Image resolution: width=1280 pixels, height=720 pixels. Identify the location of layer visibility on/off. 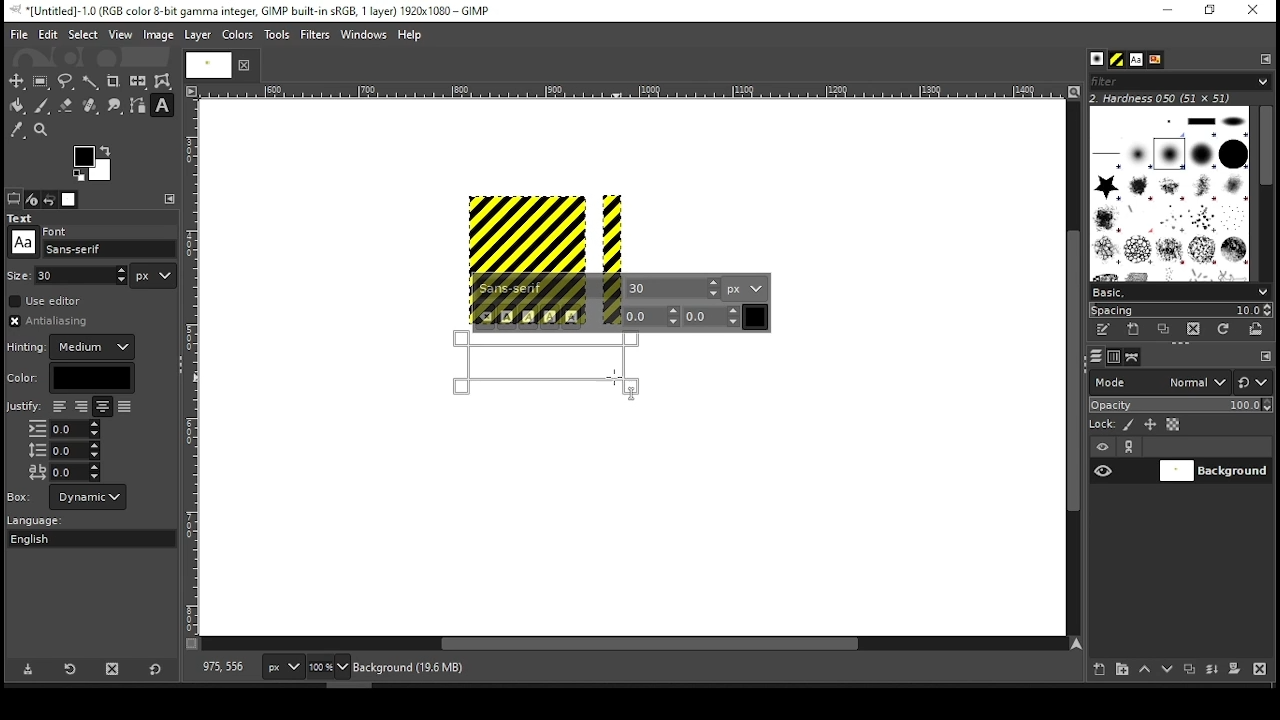
(1104, 470).